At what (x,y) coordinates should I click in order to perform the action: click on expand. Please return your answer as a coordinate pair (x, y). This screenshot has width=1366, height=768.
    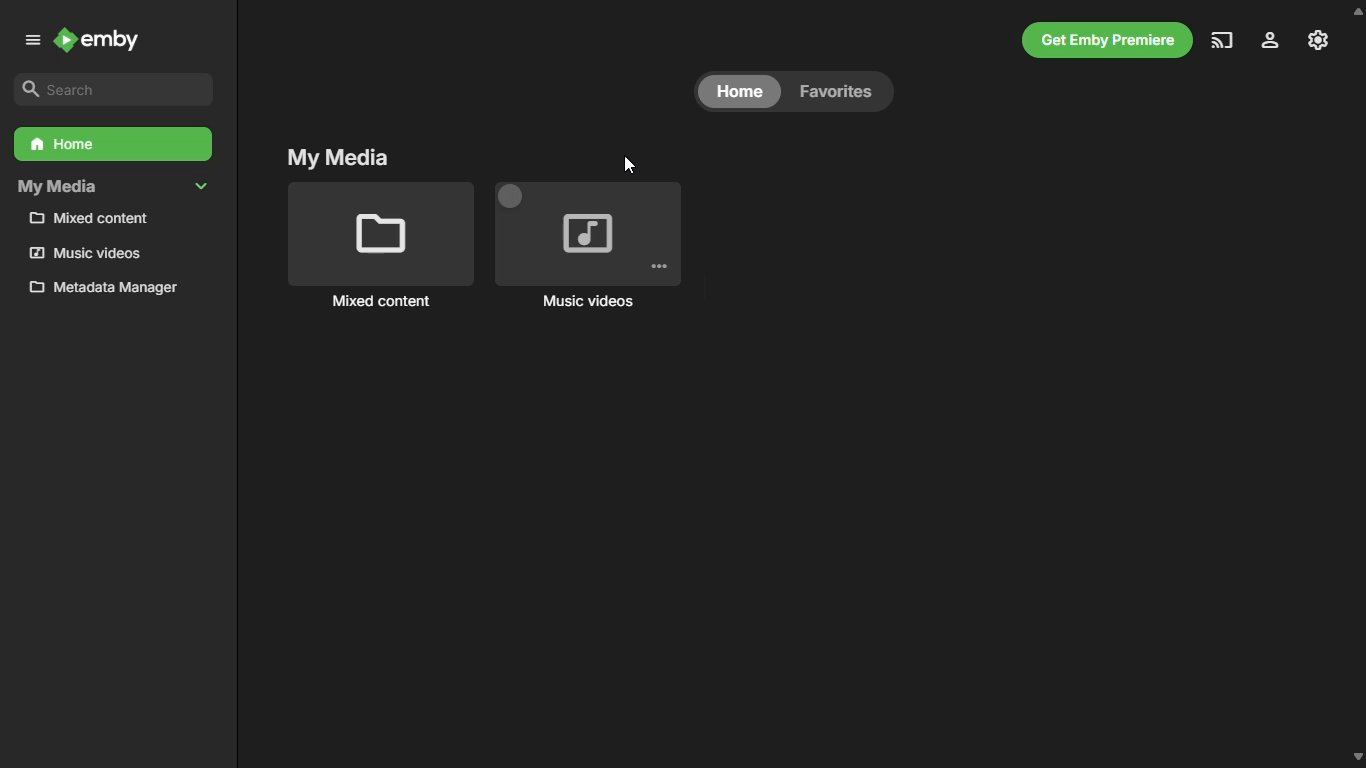
    Looking at the image, I should click on (32, 41).